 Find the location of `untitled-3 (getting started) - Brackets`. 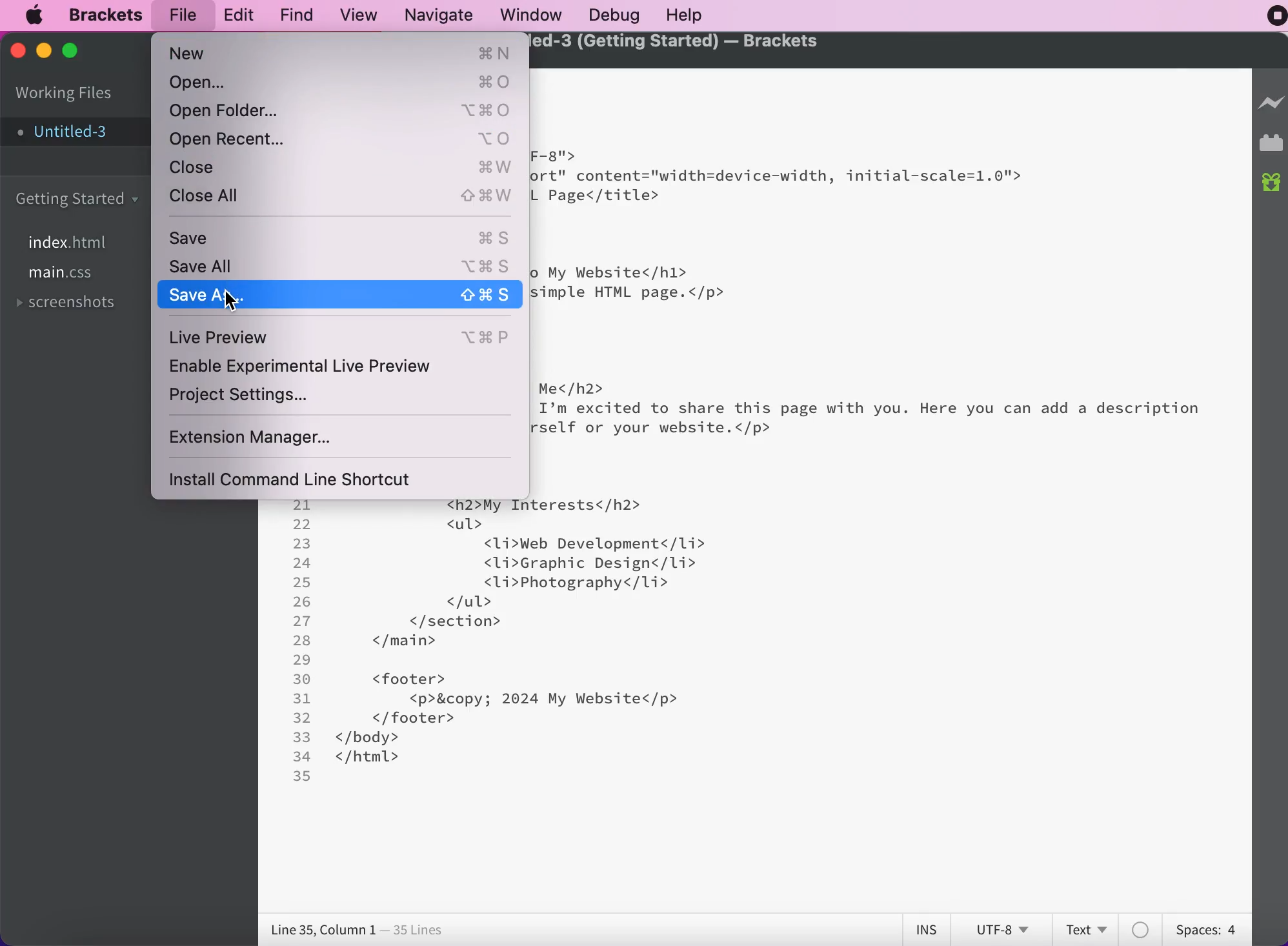

untitled-3 (getting started) - Brackets is located at coordinates (678, 42).